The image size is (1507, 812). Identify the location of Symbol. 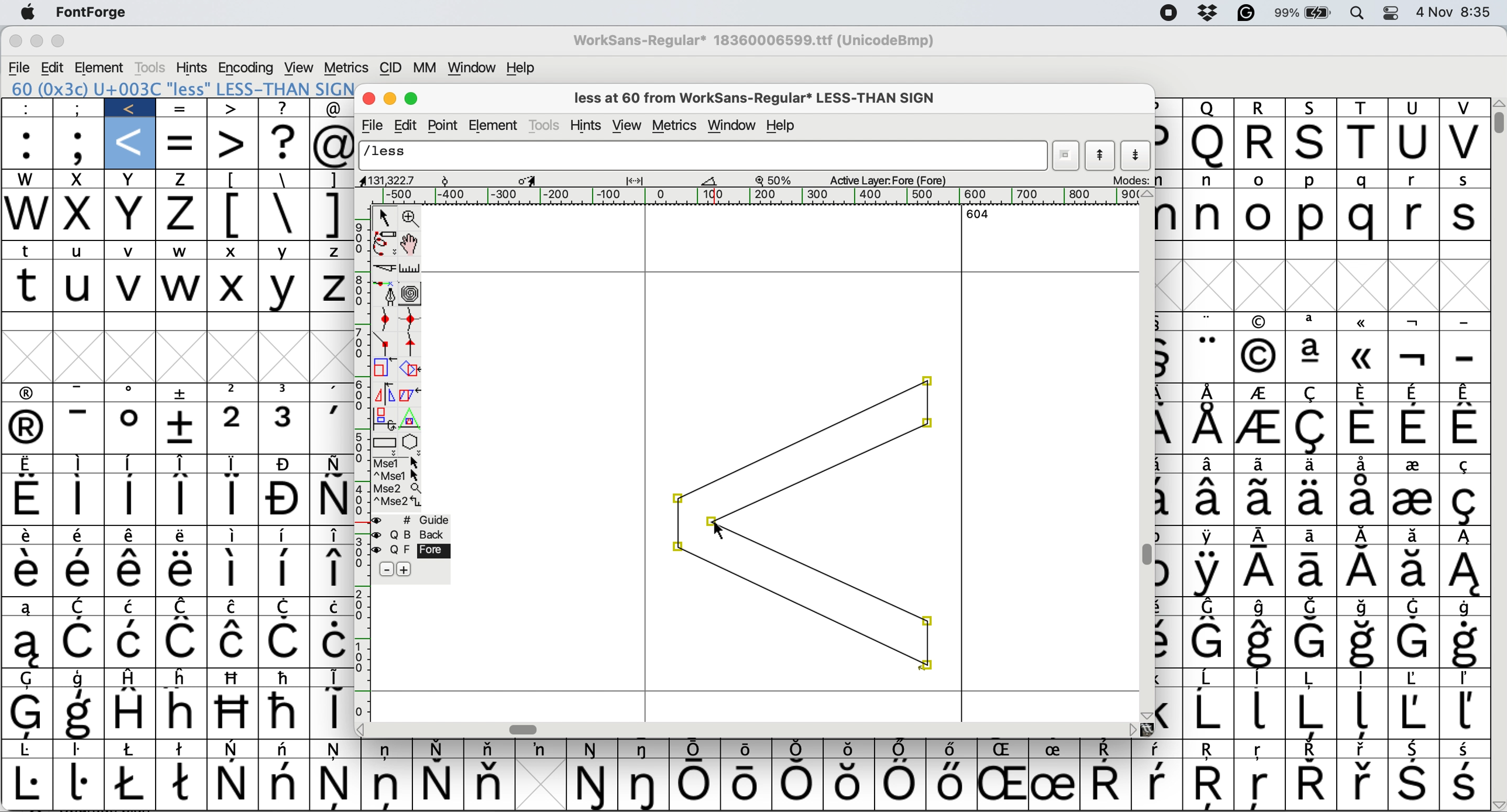
(1002, 785).